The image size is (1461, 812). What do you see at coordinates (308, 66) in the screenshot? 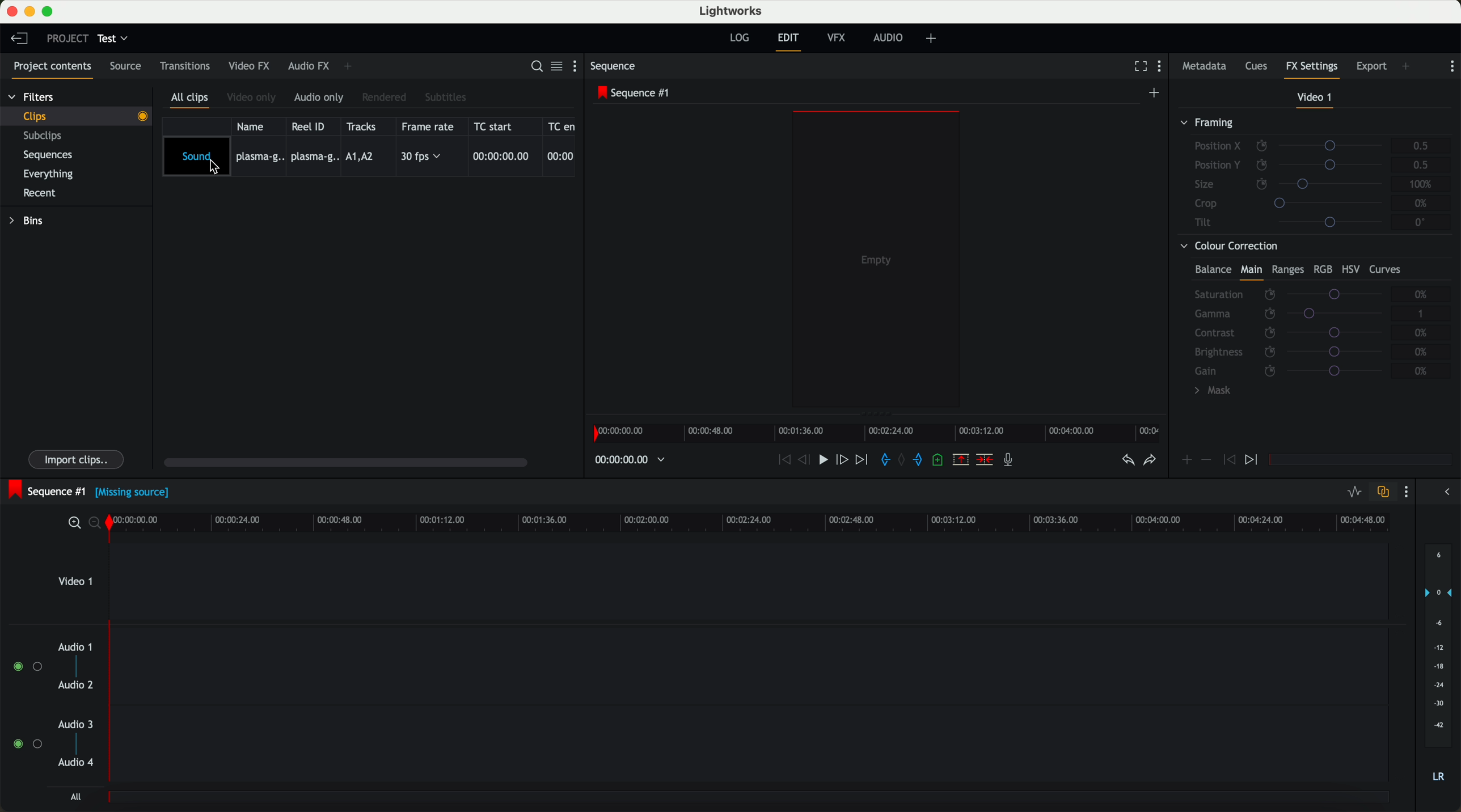
I see `audio FX` at bounding box center [308, 66].